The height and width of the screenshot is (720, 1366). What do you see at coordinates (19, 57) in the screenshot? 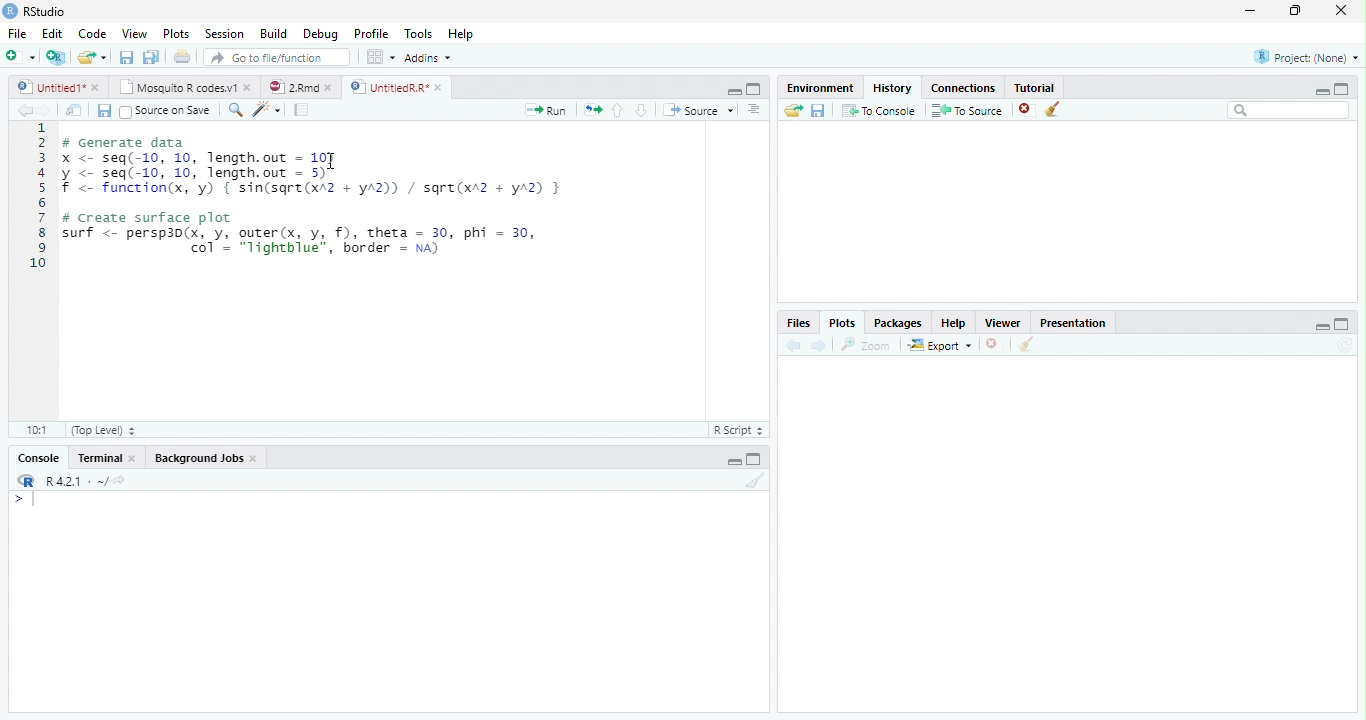
I see `New file` at bounding box center [19, 57].